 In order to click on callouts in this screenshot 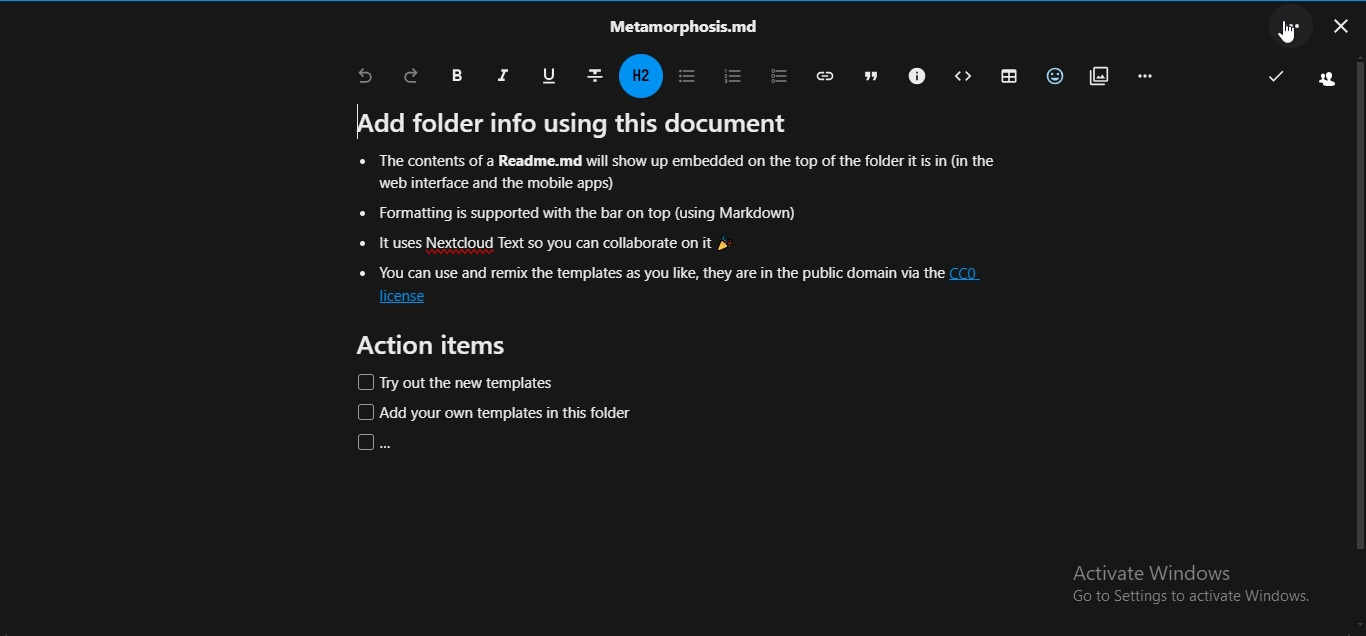, I will do `click(914, 74)`.